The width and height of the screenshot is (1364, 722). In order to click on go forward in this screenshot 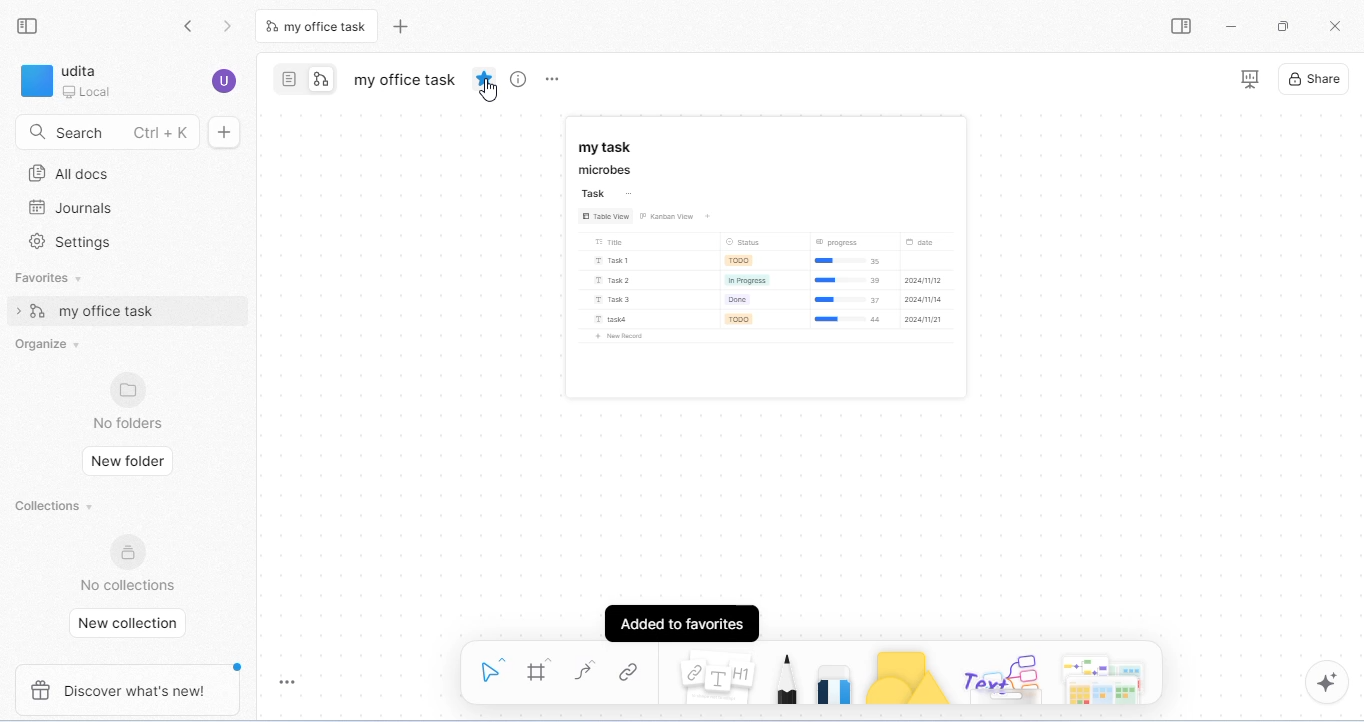, I will do `click(228, 27)`.